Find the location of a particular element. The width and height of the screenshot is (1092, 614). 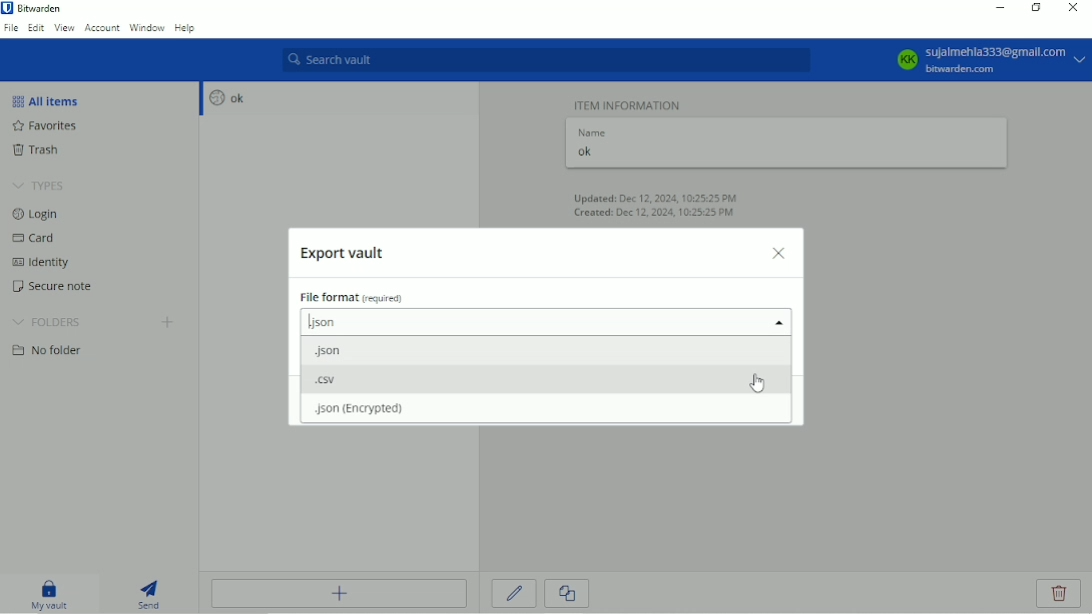

Edit is located at coordinates (36, 27).